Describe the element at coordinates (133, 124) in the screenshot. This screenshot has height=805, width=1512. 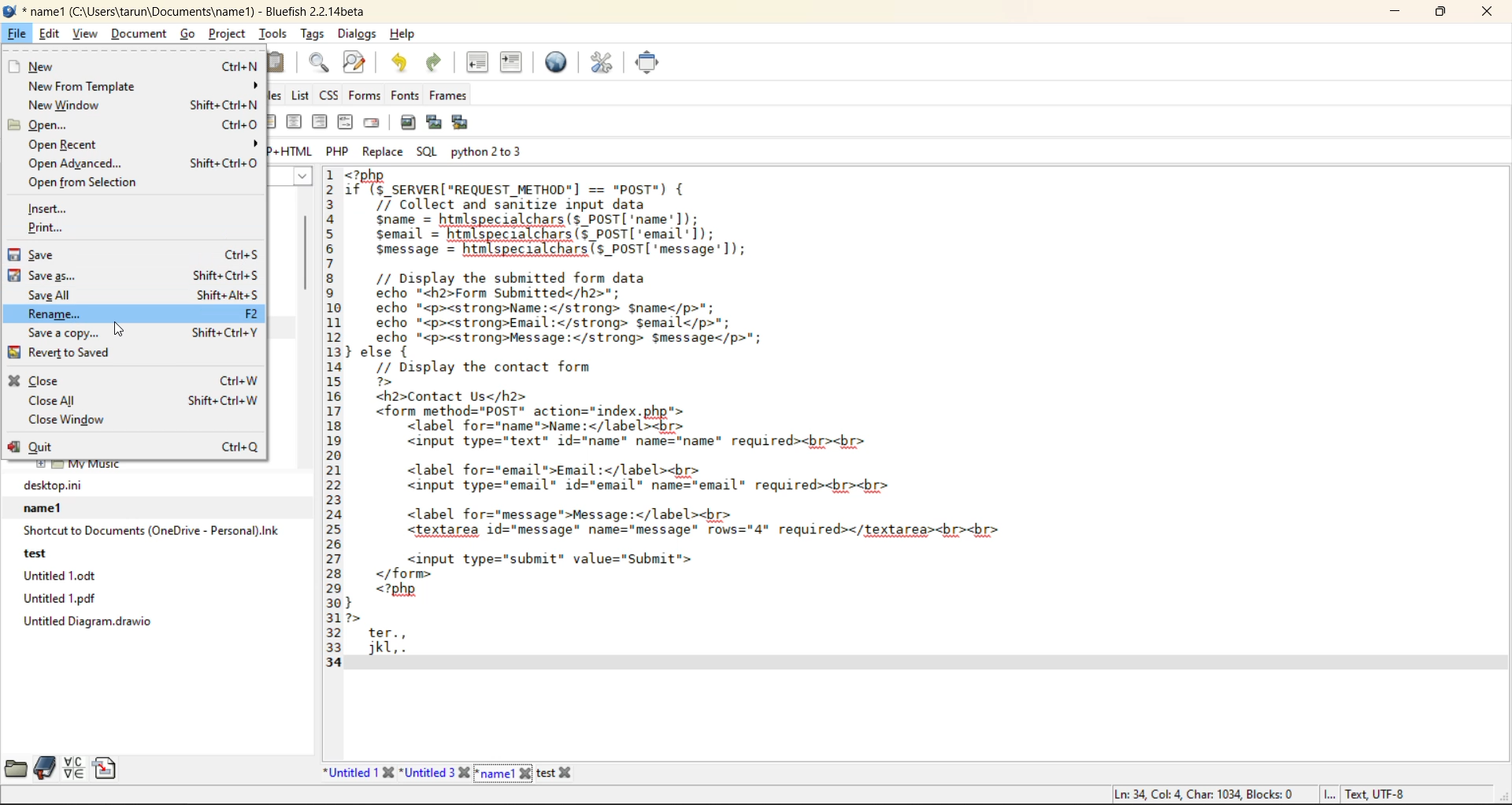
I see `open` at that location.